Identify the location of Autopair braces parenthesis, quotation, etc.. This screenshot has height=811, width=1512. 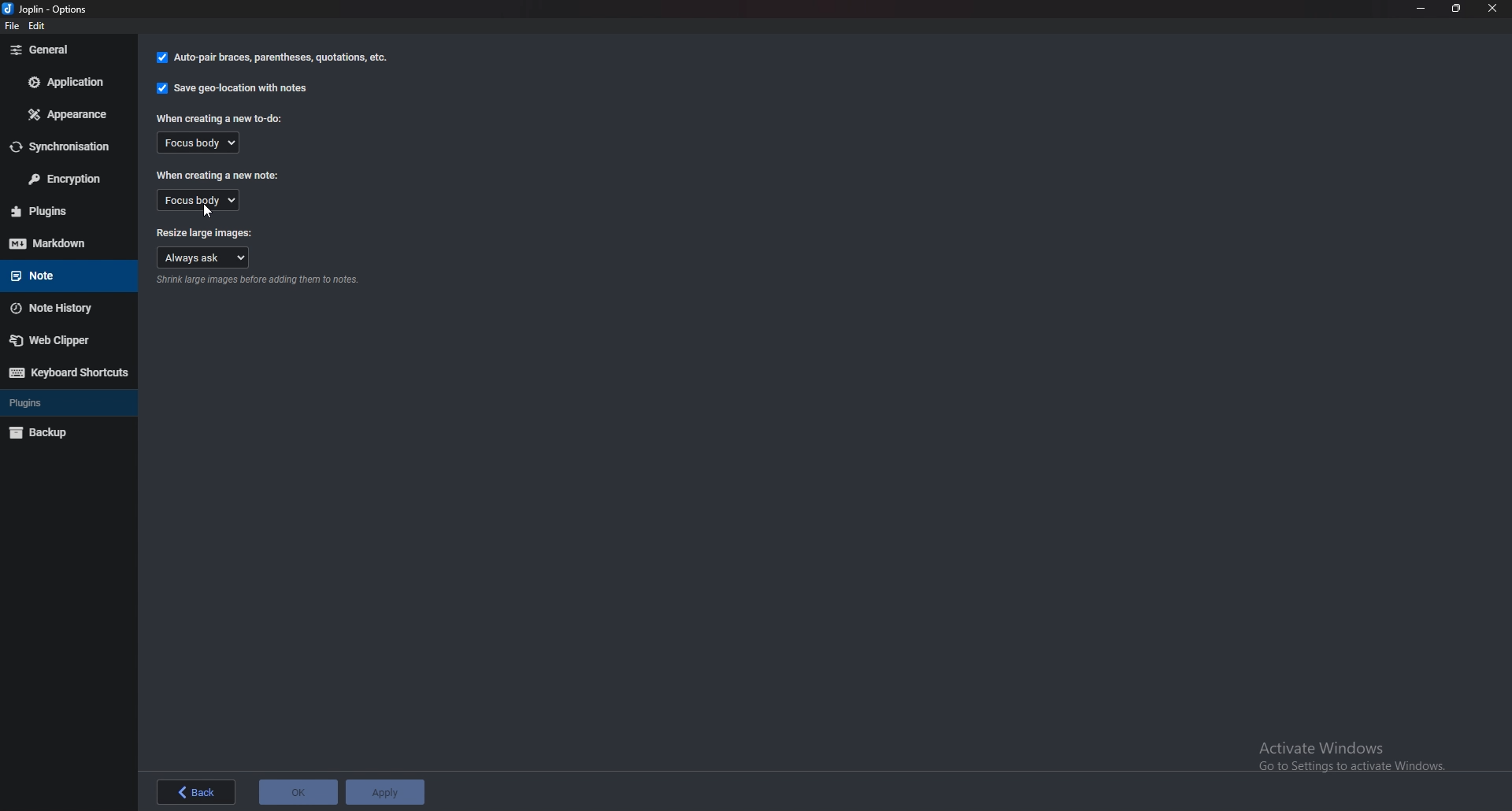
(272, 57).